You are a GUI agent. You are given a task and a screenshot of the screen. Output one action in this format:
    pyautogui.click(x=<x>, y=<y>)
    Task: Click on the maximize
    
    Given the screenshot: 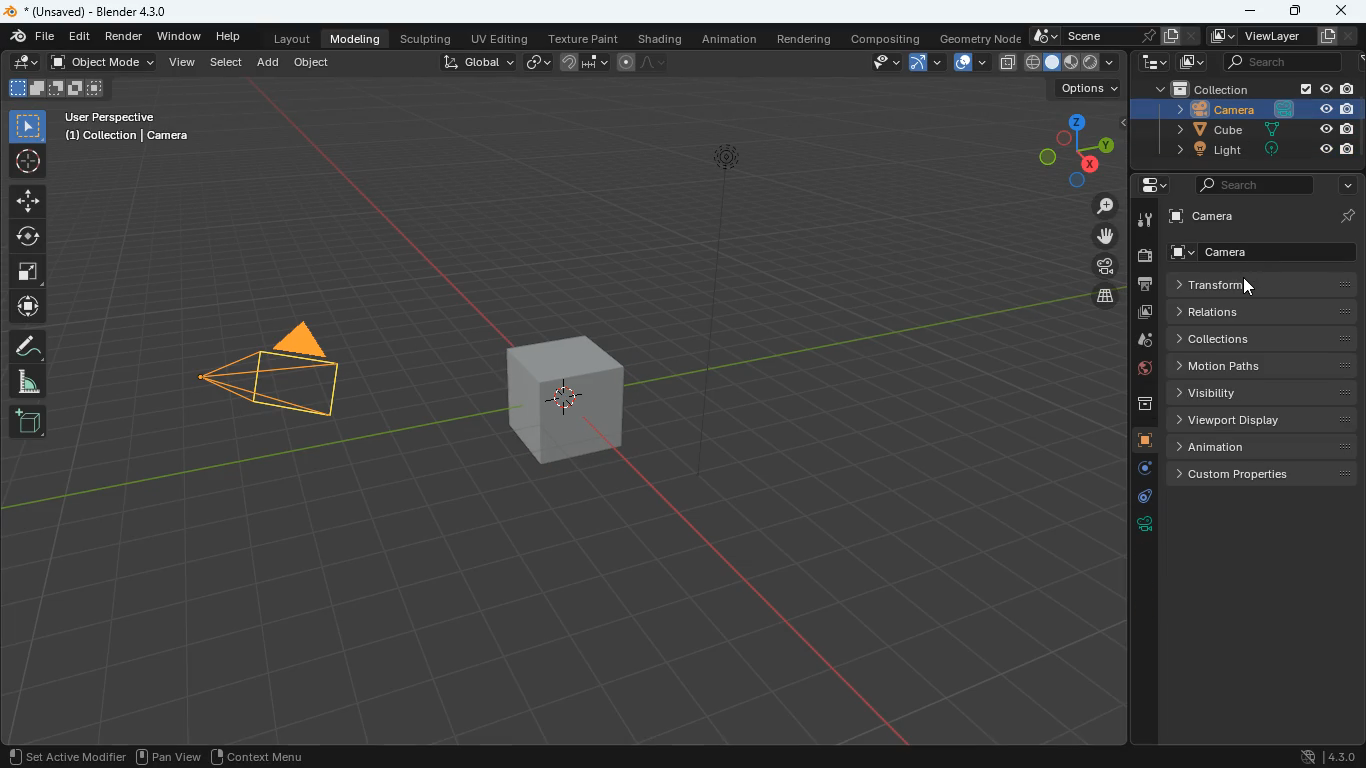 What is the action you would take?
    pyautogui.click(x=1293, y=10)
    